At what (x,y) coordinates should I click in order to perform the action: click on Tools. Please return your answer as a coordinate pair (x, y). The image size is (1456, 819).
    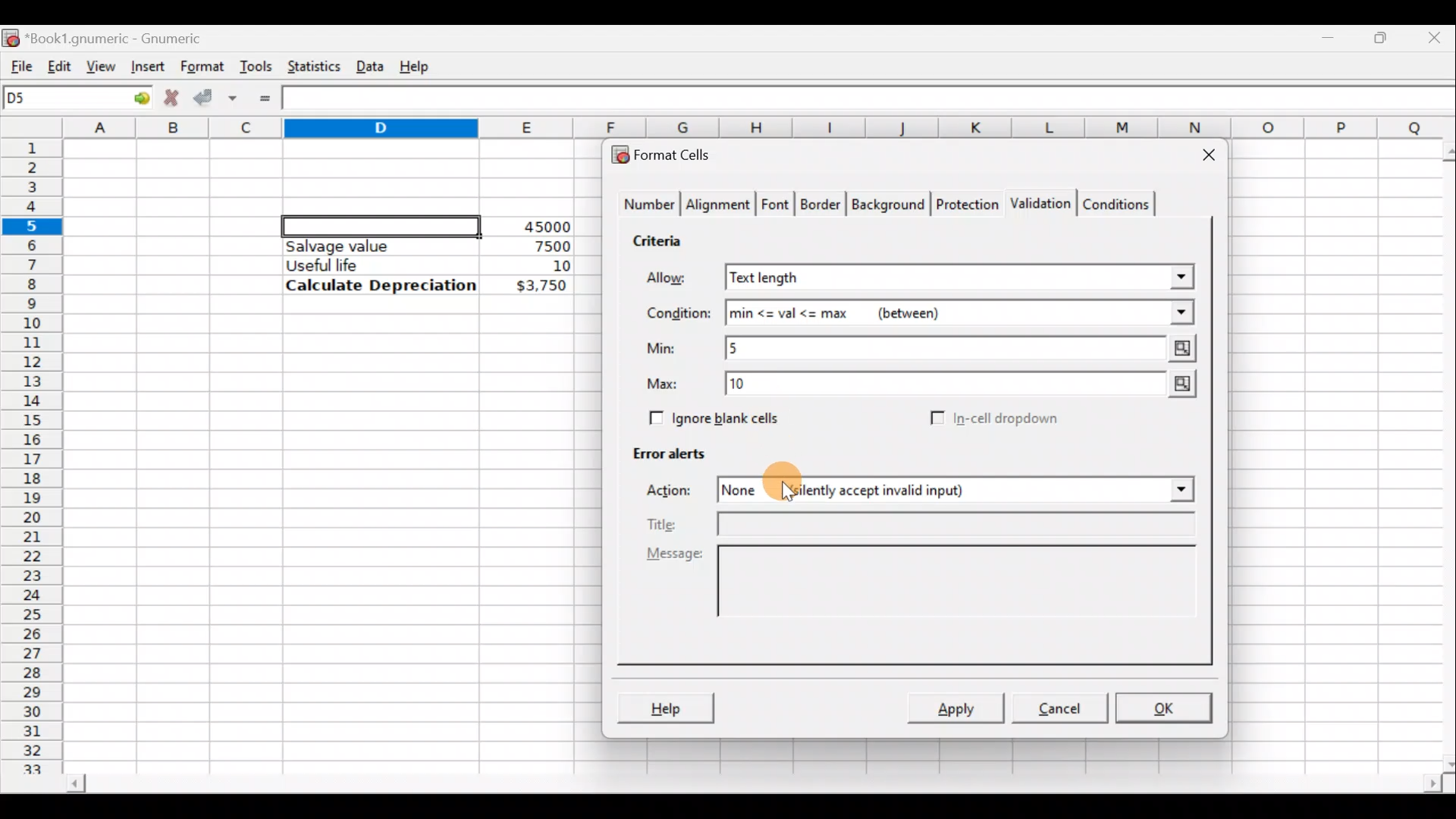
    Looking at the image, I should click on (256, 65).